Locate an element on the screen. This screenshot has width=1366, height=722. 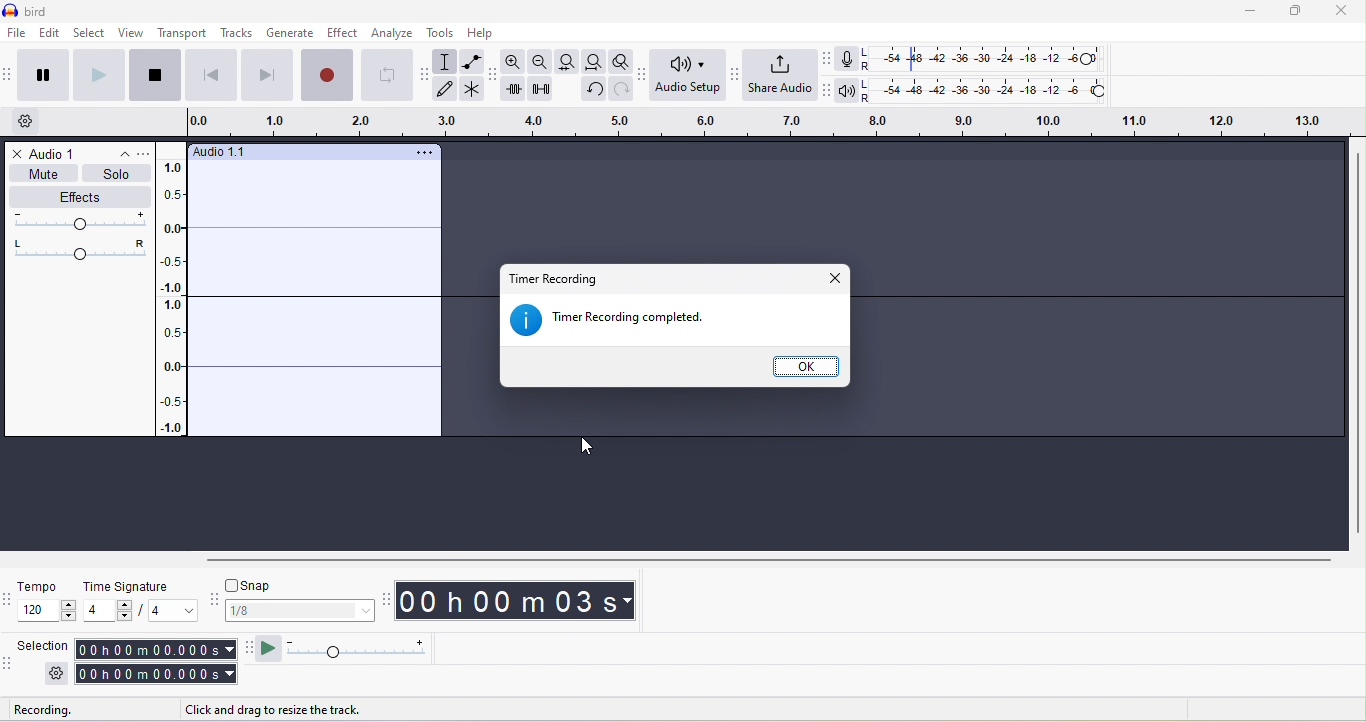
audio setup is located at coordinates (689, 76).